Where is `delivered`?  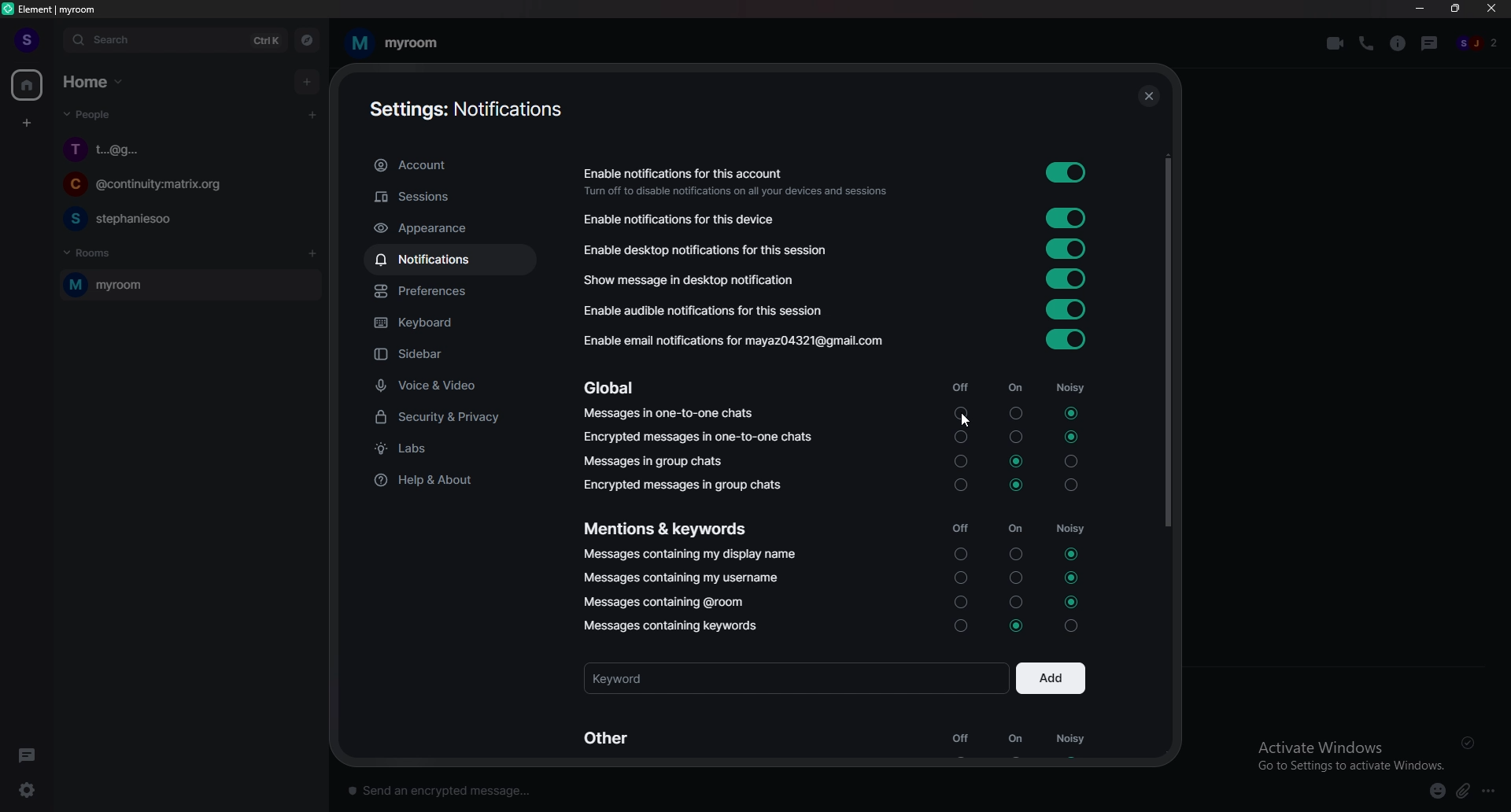 delivered is located at coordinates (1469, 742).